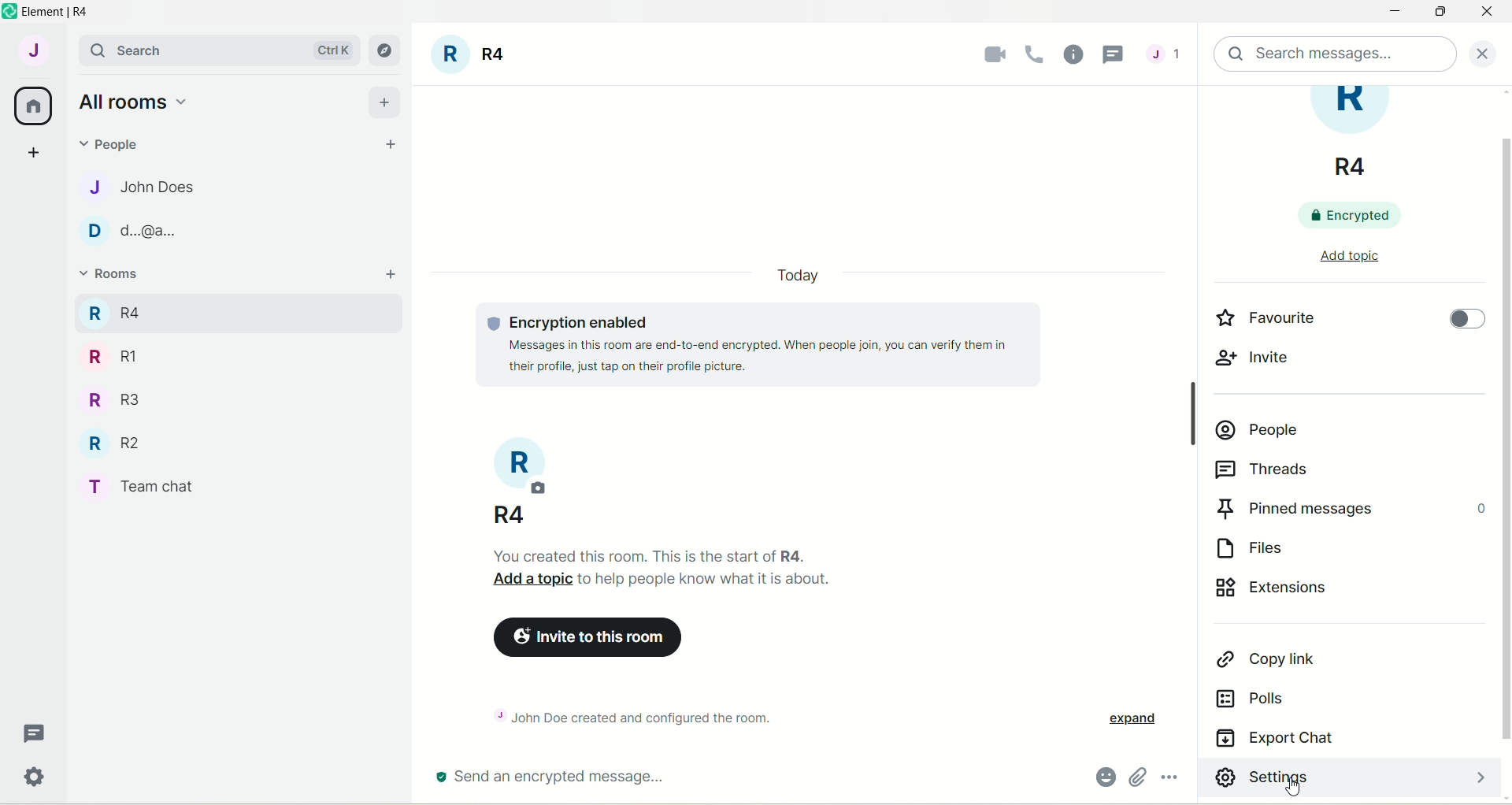 This screenshot has height=805, width=1512. Describe the element at coordinates (1172, 779) in the screenshot. I see `options` at that location.